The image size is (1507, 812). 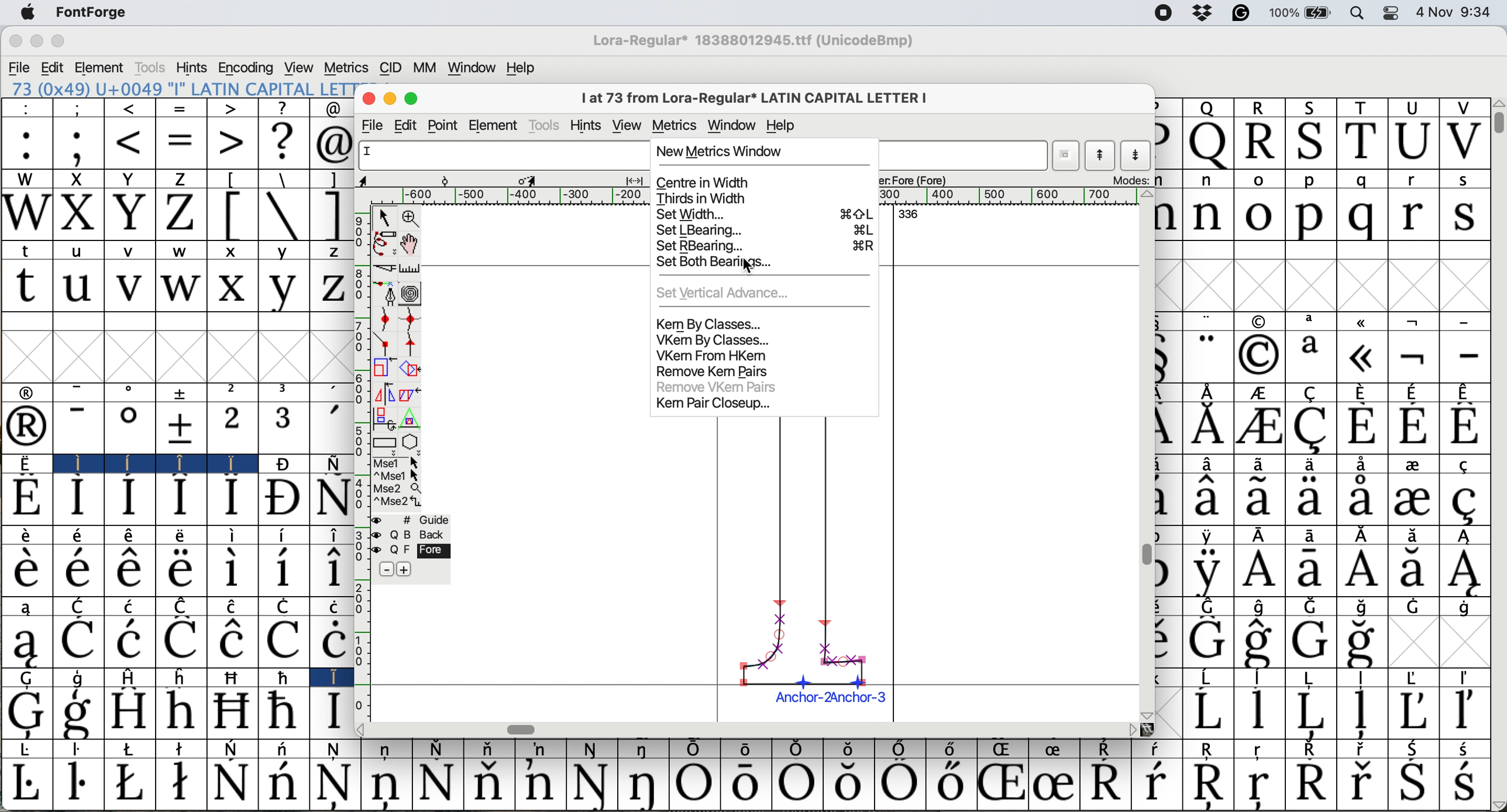 What do you see at coordinates (285, 428) in the screenshot?
I see `3` at bounding box center [285, 428].